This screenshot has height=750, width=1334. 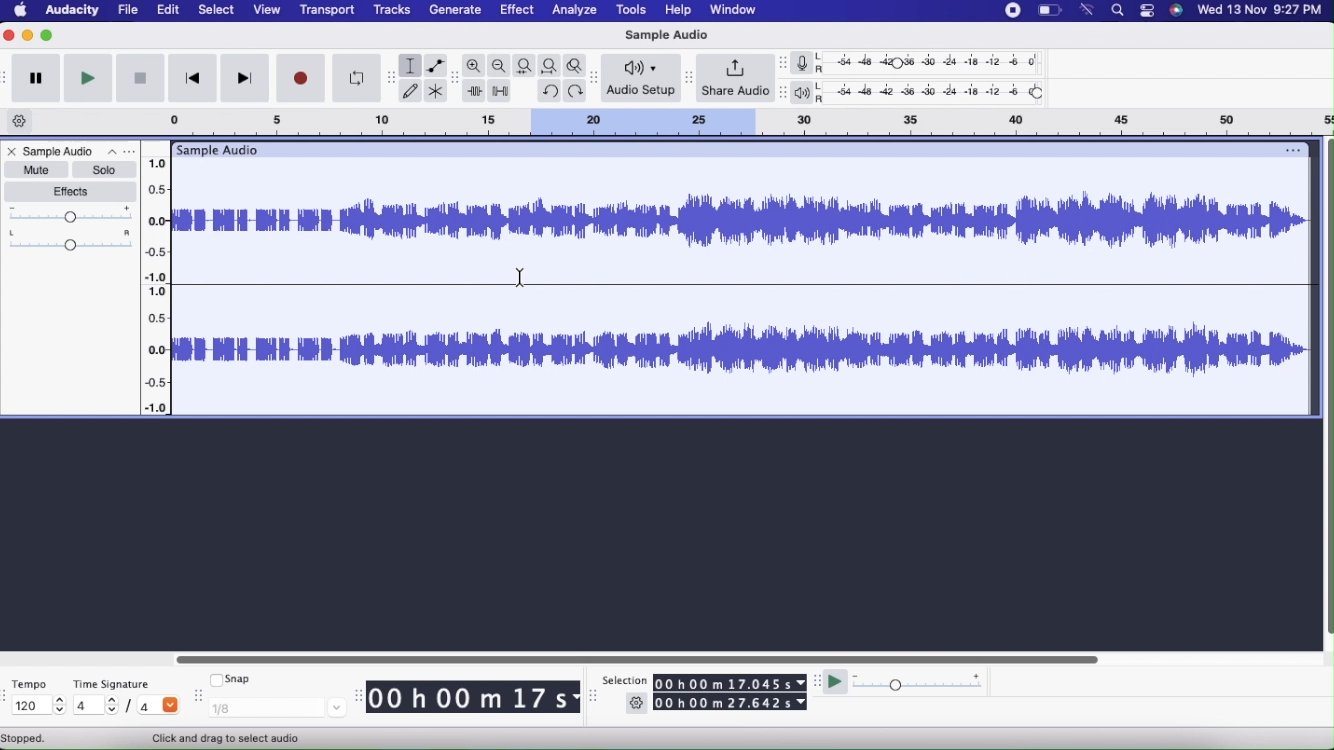 I want to click on date time, so click(x=1260, y=9).